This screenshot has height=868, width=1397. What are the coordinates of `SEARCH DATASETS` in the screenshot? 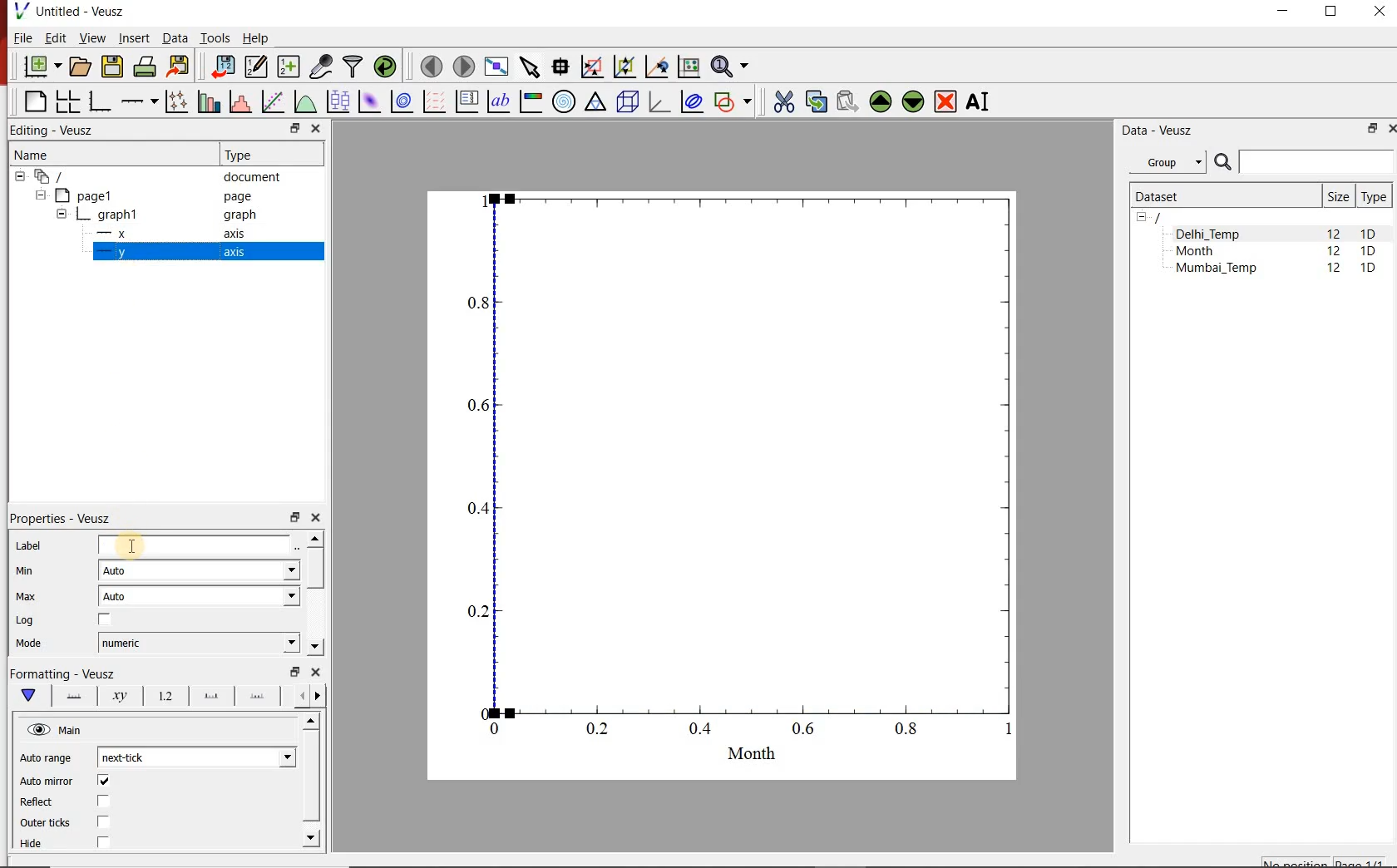 It's located at (1303, 163).